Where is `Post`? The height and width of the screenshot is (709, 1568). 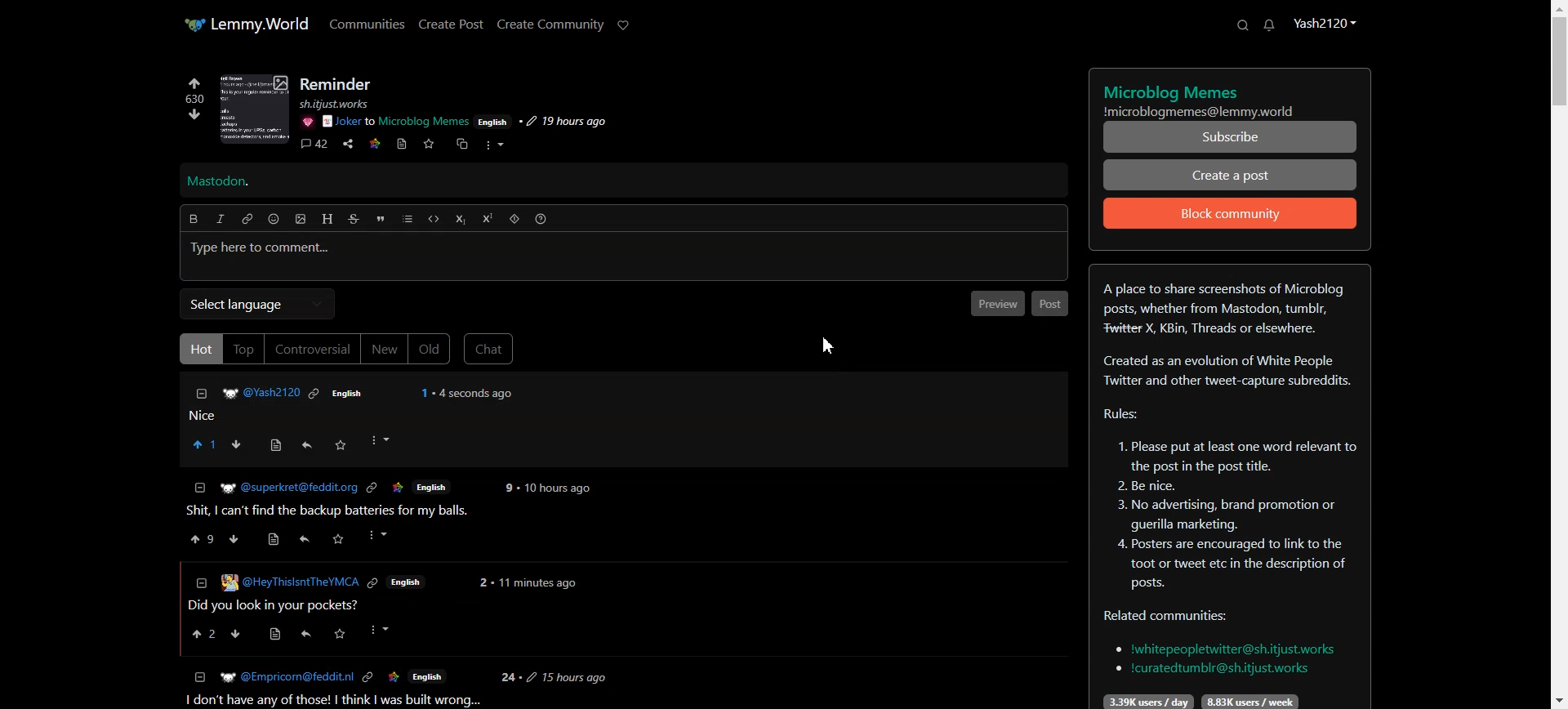
Post is located at coordinates (335, 417).